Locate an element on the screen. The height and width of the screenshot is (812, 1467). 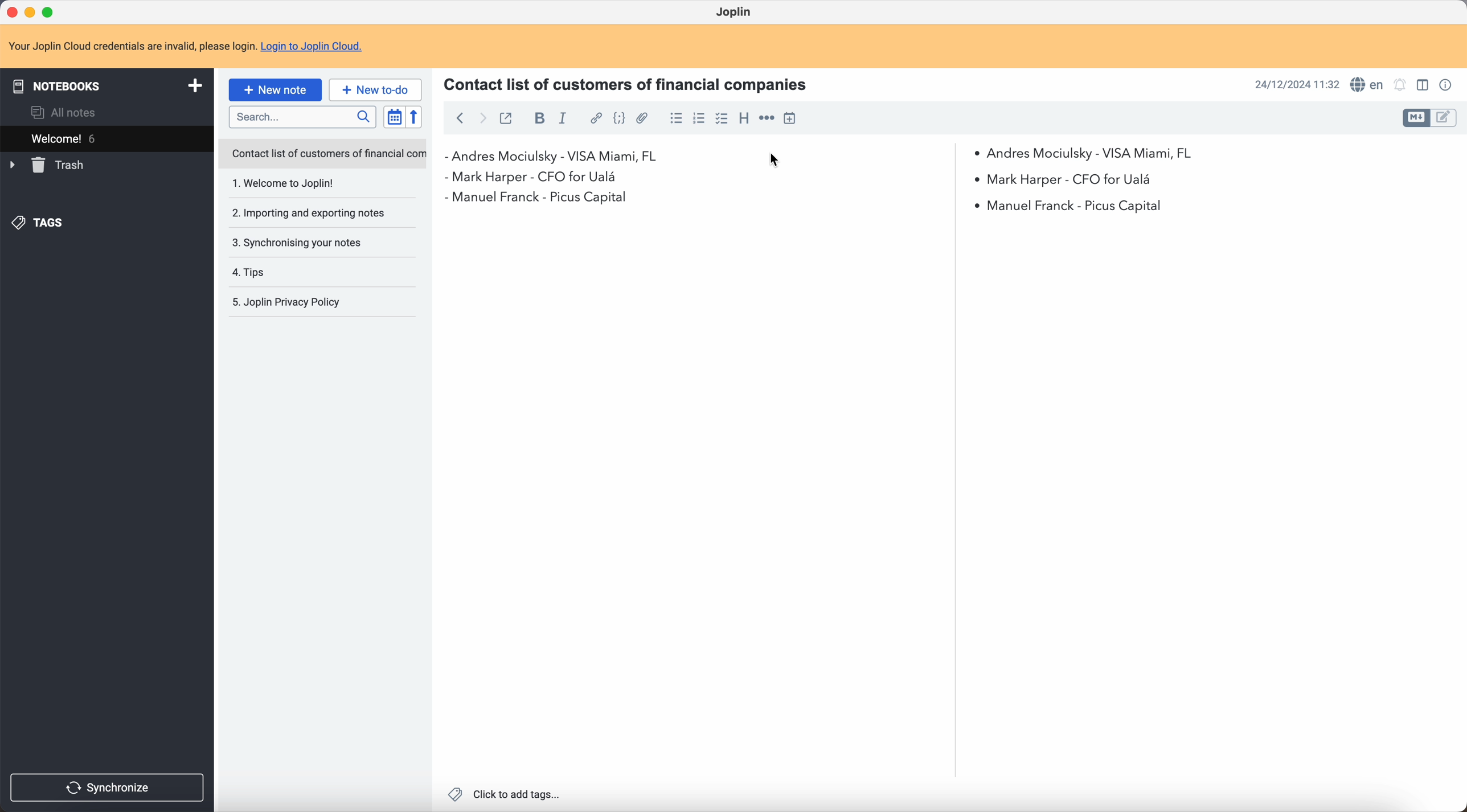
hyperlink is located at coordinates (595, 118).